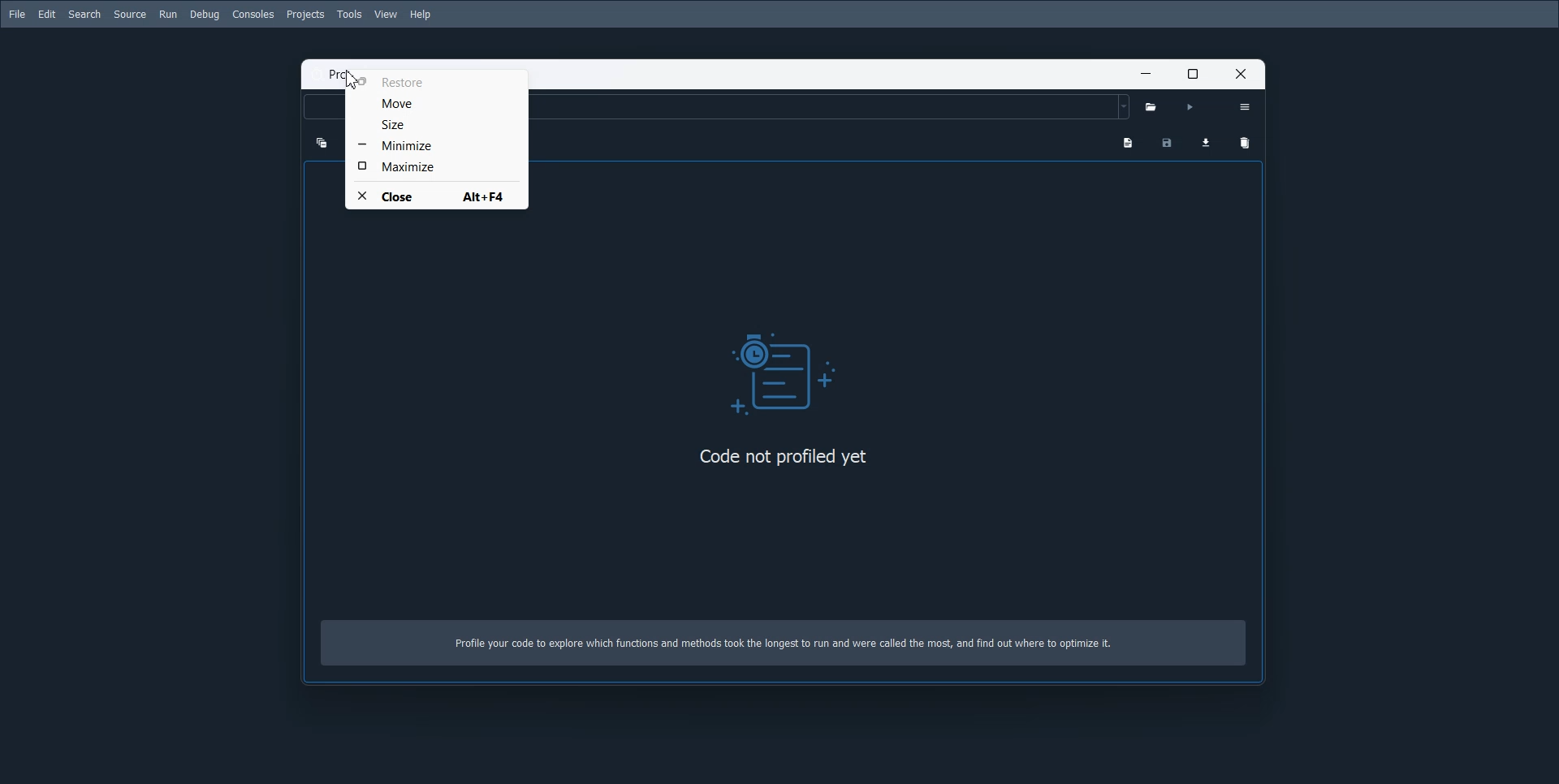 The width and height of the screenshot is (1559, 784). I want to click on  Minimize, so click(1144, 73).